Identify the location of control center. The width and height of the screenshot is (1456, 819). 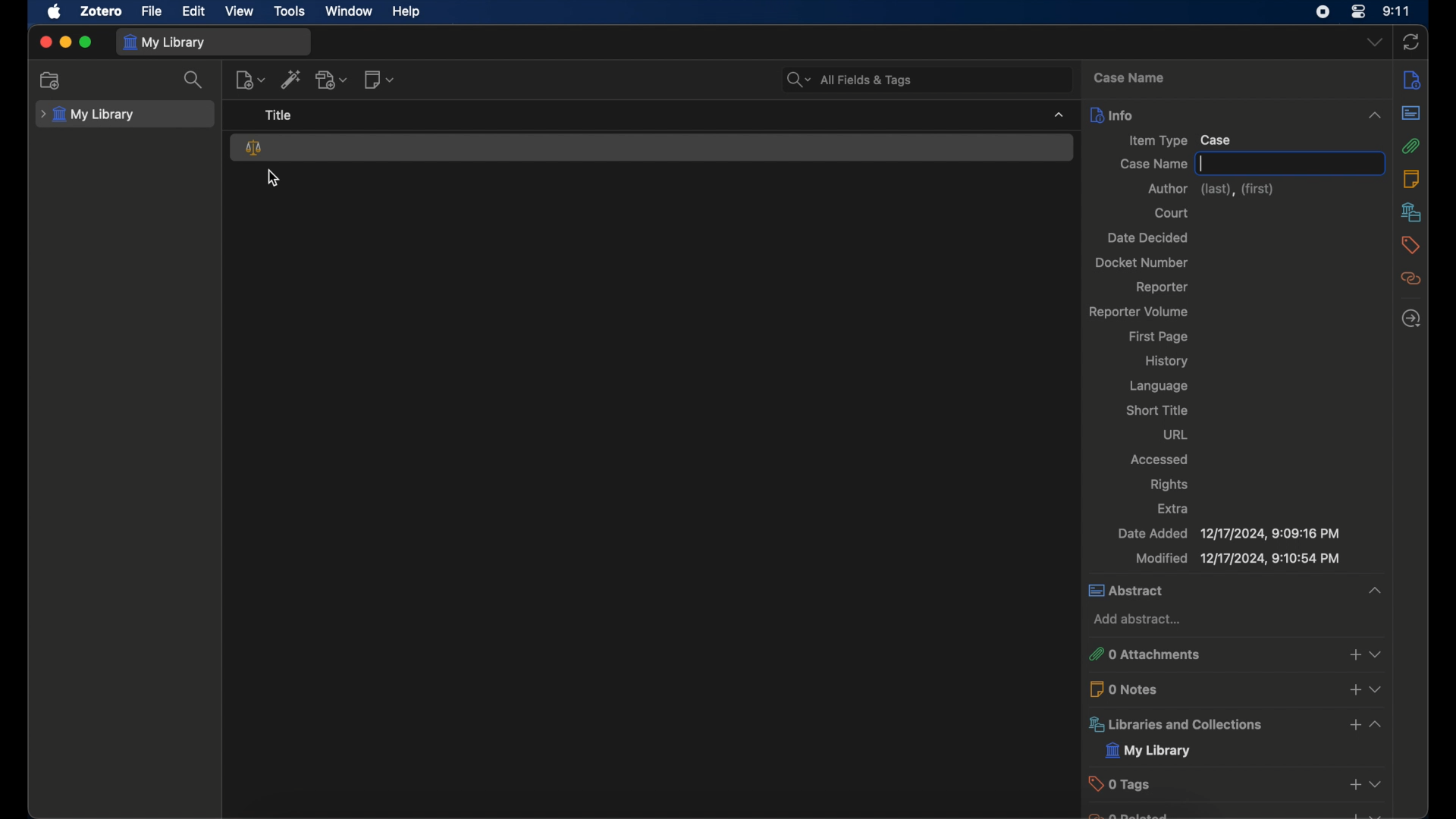
(1359, 11).